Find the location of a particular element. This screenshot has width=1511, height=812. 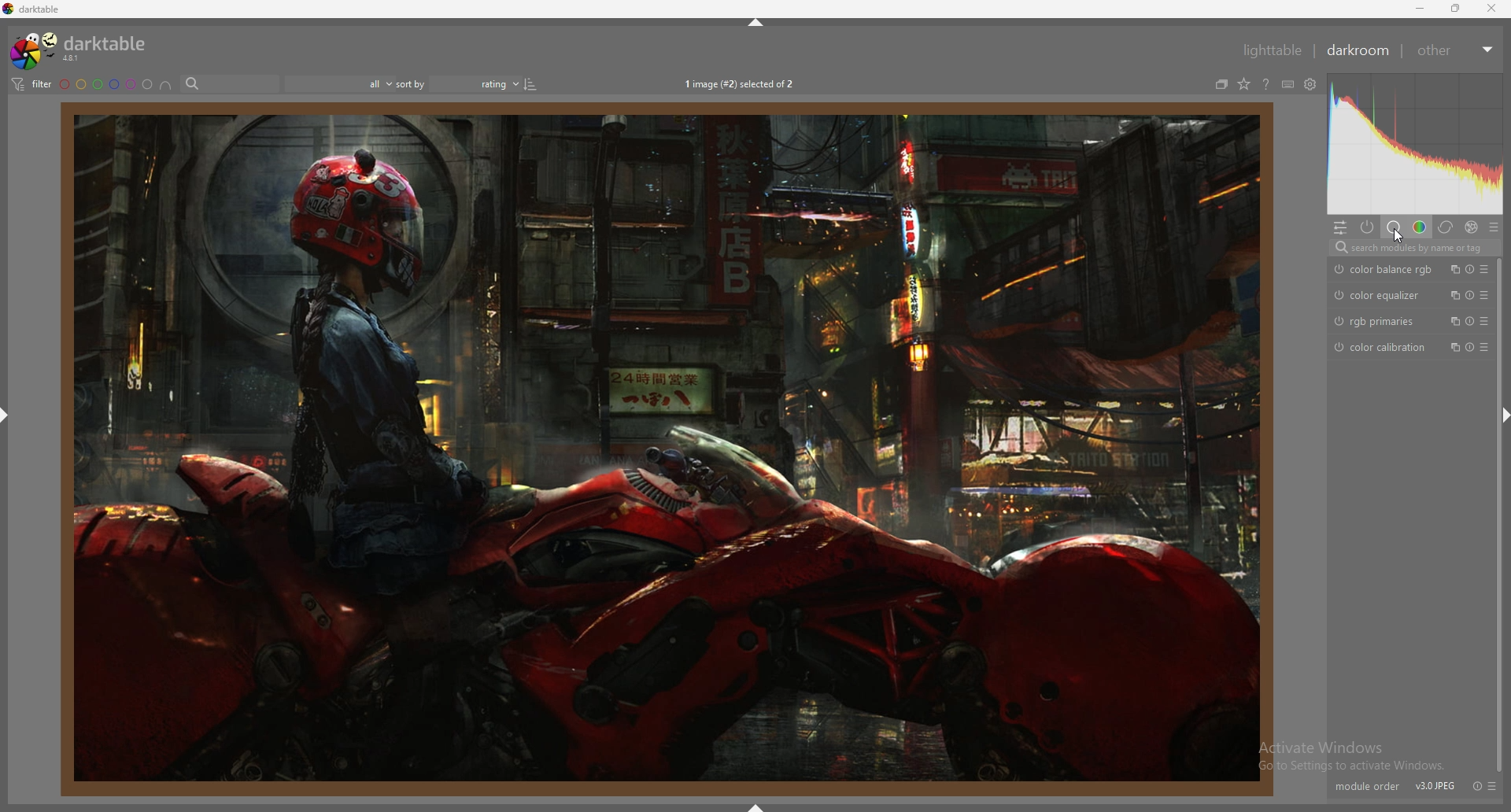

presets is located at coordinates (1484, 269).